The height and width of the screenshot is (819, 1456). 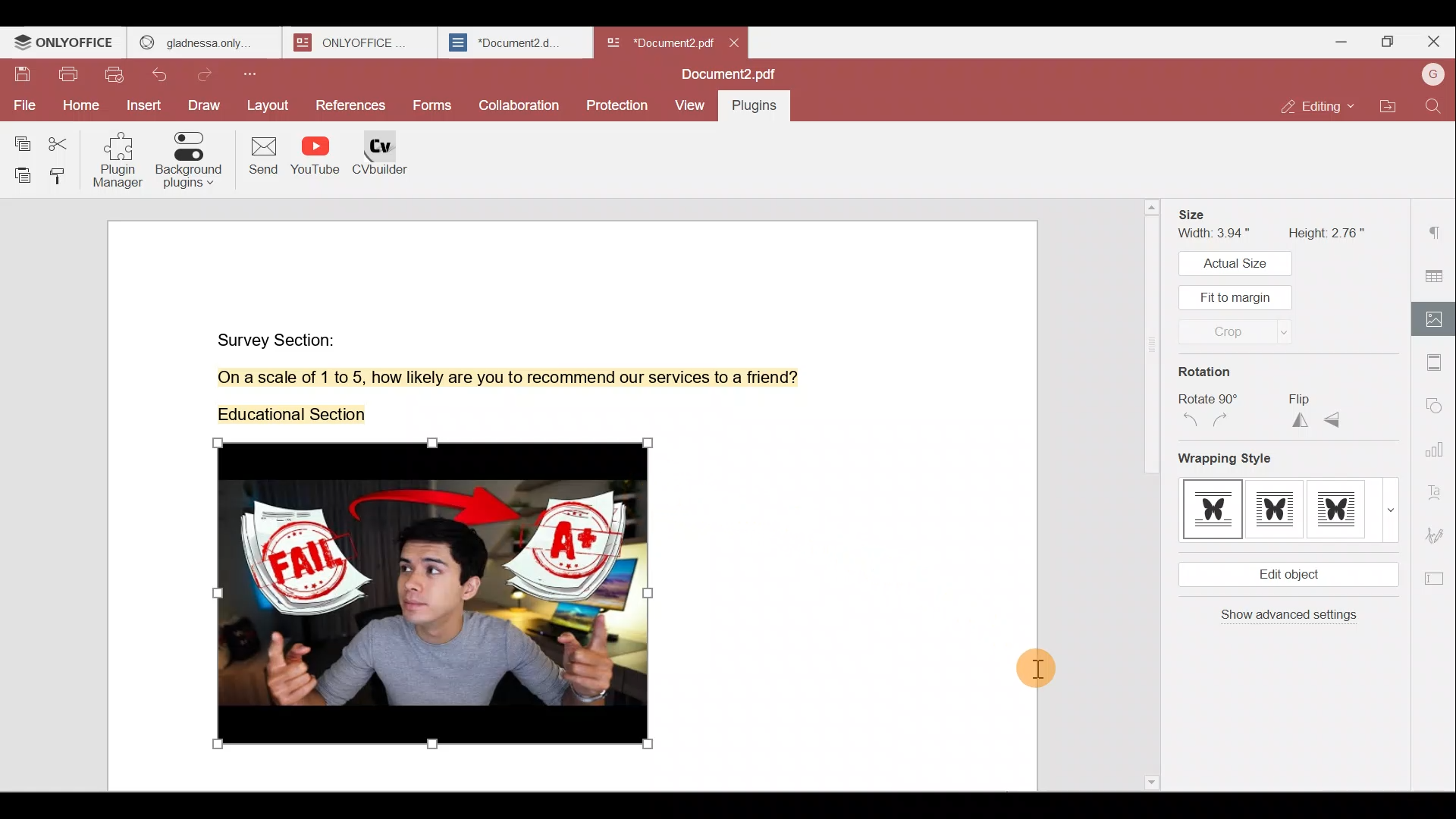 I want to click on Text Art settings, so click(x=1437, y=488).